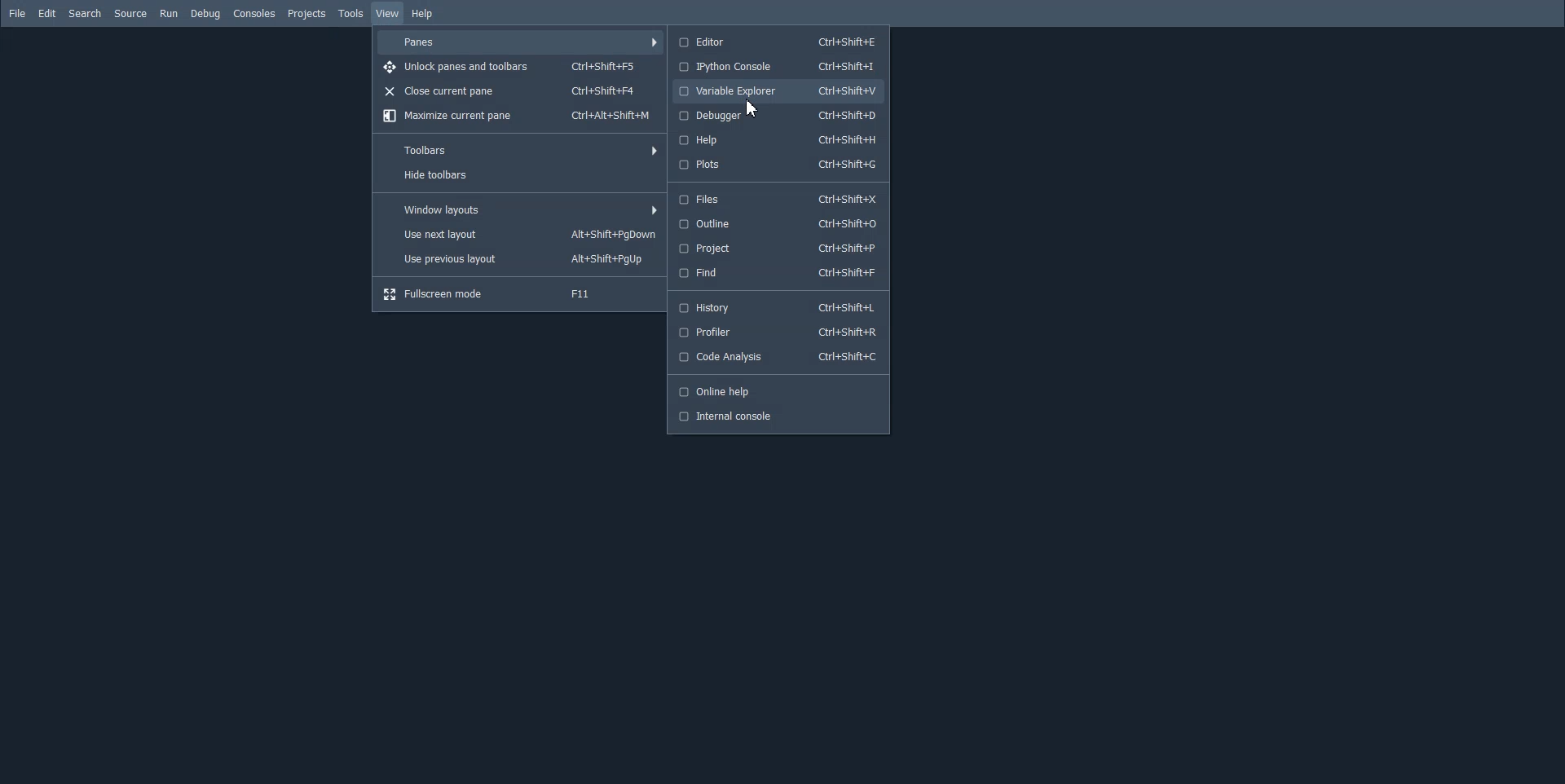  What do you see at coordinates (776, 356) in the screenshot?
I see `Code Analysis` at bounding box center [776, 356].